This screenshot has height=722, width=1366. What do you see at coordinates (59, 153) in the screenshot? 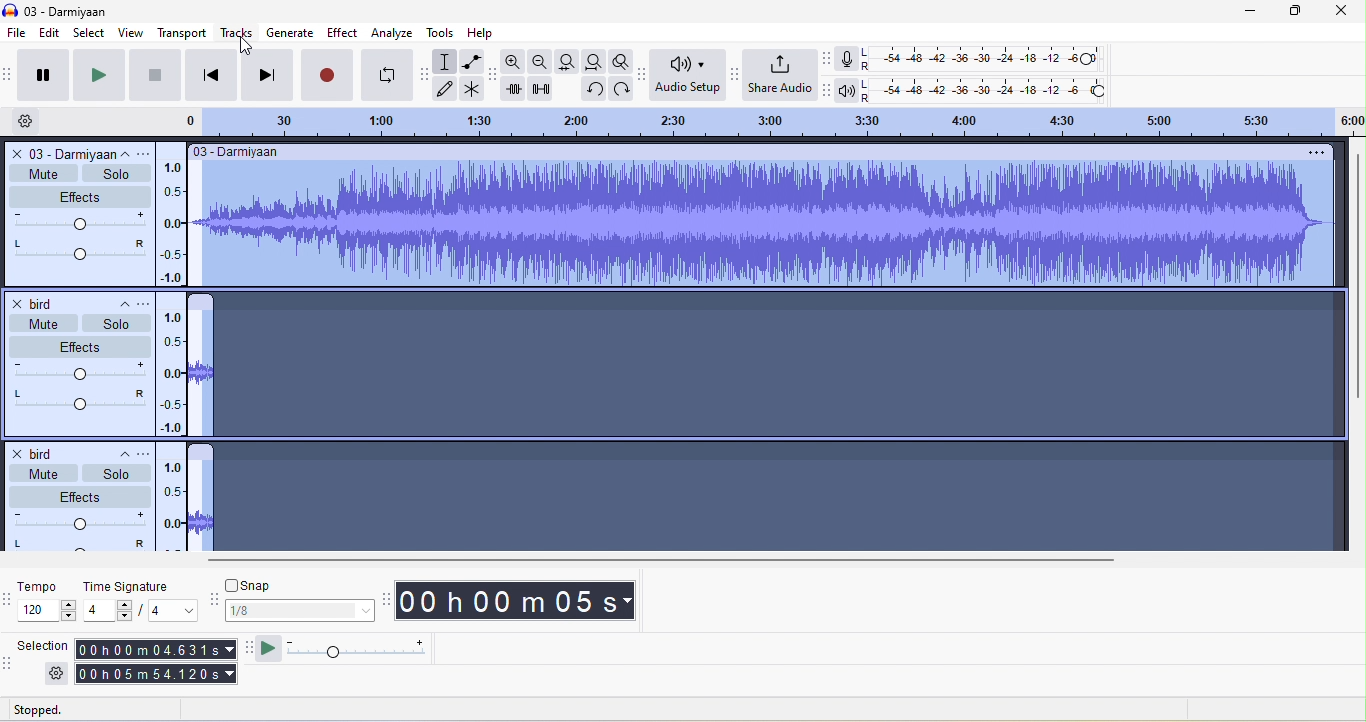
I see `o3 darmiyaan` at bounding box center [59, 153].